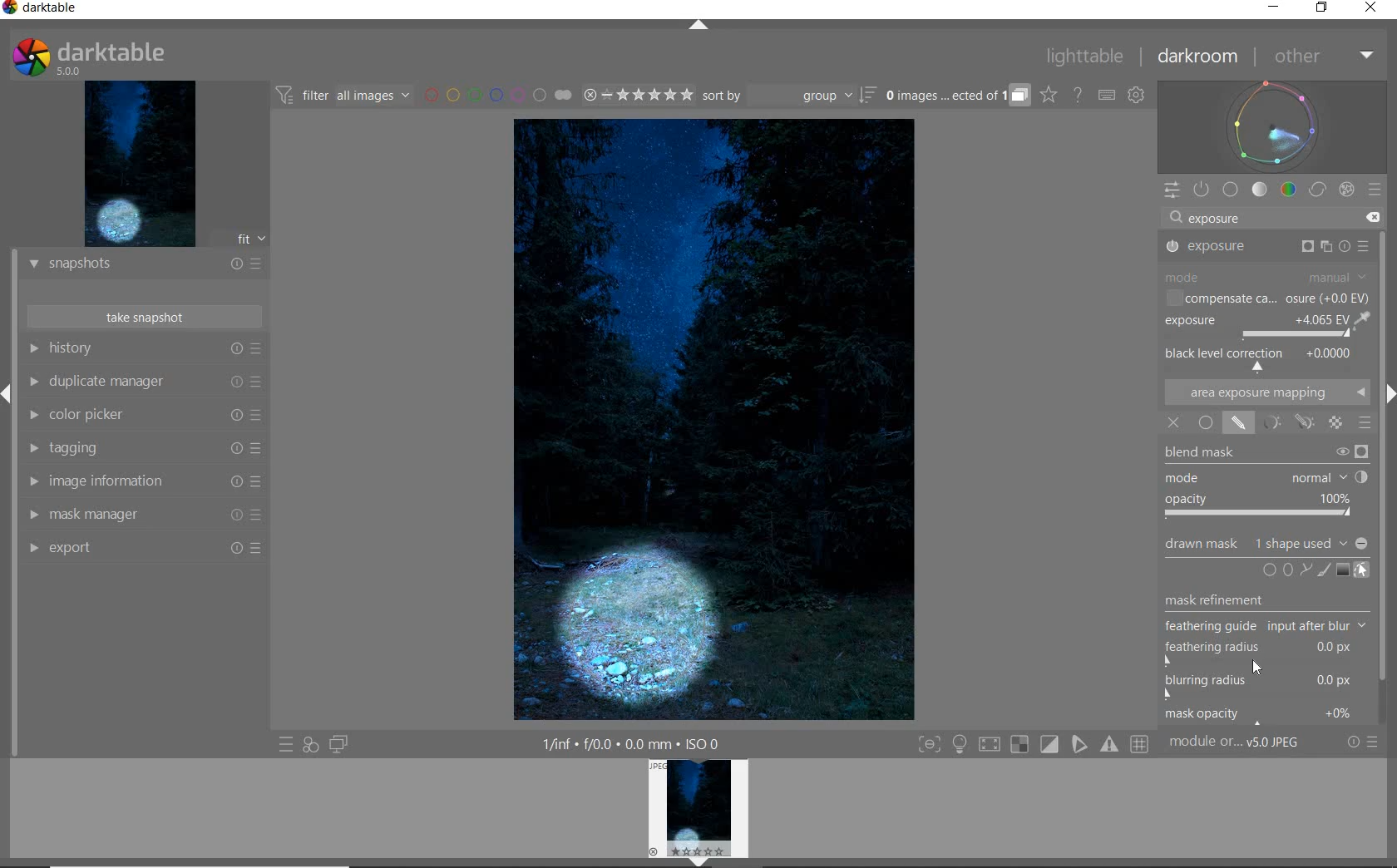 This screenshot has height=868, width=1397. Describe the element at coordinates (1266, 298) in the screenshot. I see `COMPENSATE CA...OSURE` at that location.